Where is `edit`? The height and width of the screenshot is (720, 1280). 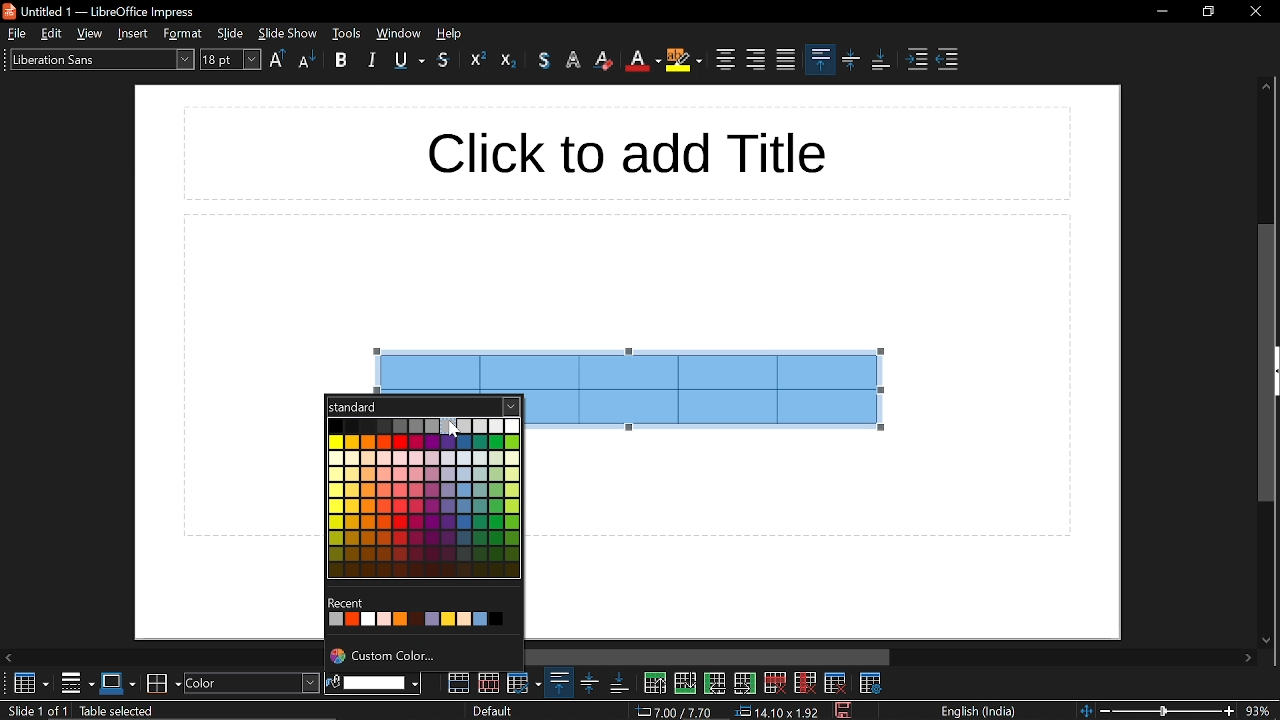 edit is located at coordinates (53, 33).